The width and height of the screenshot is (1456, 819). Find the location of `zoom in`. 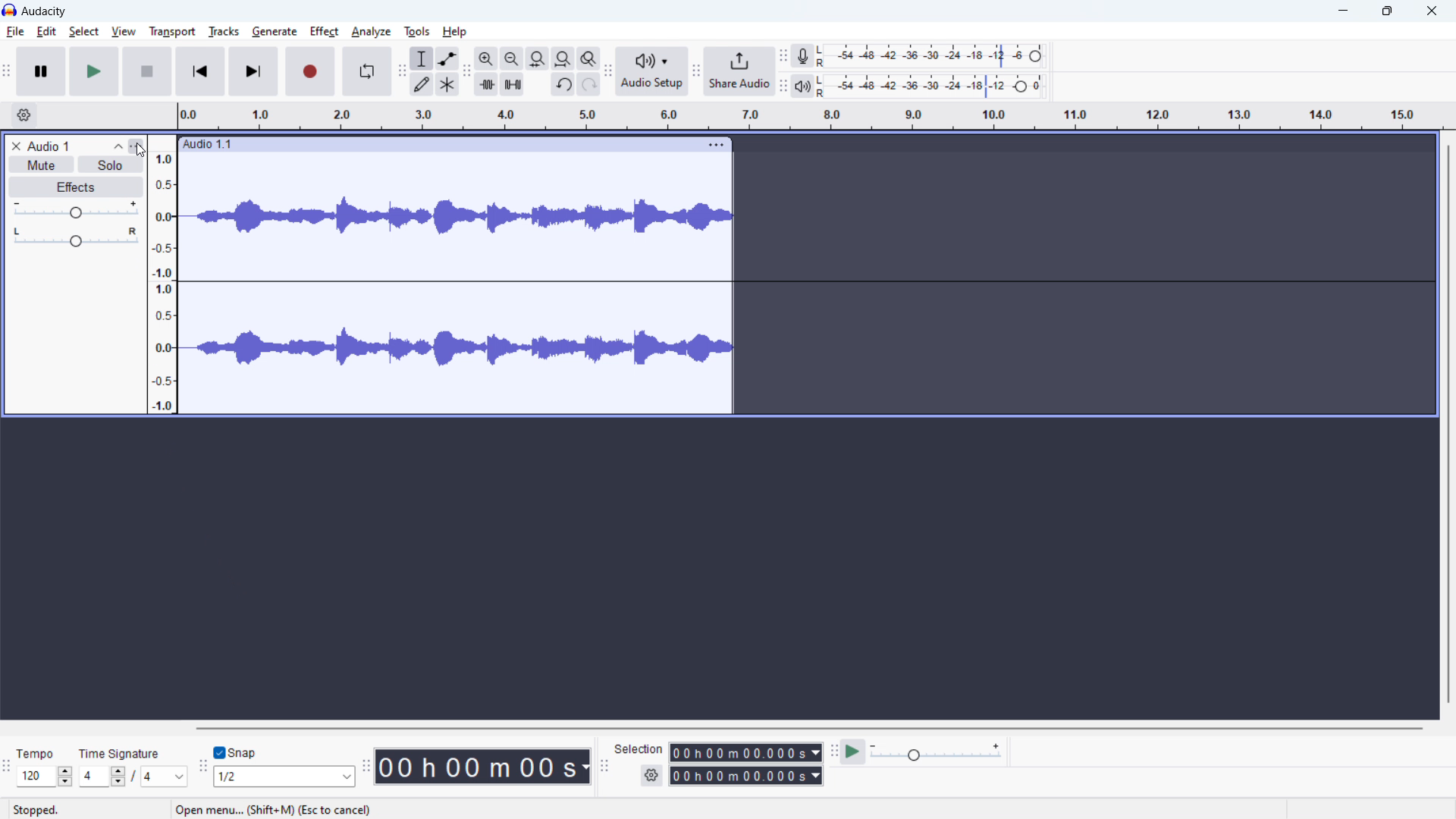

zoom in is located at coordinates (486, 58).